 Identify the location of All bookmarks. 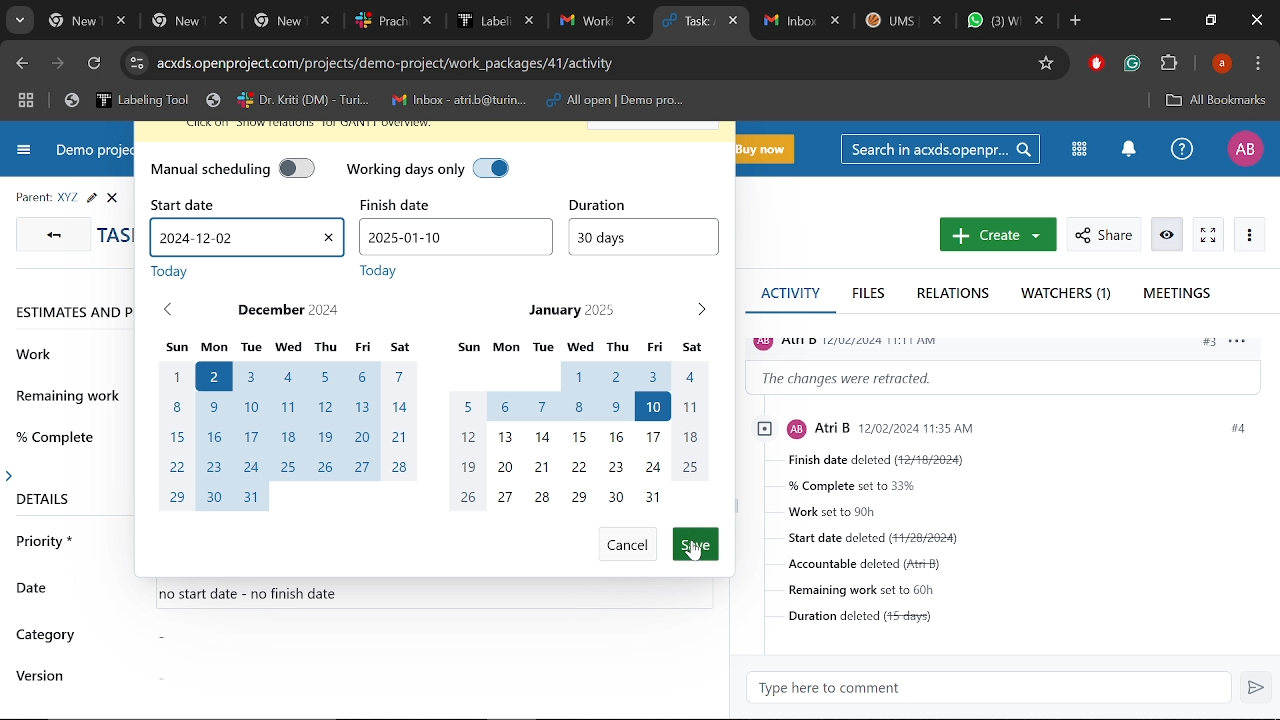
(1215, 101).